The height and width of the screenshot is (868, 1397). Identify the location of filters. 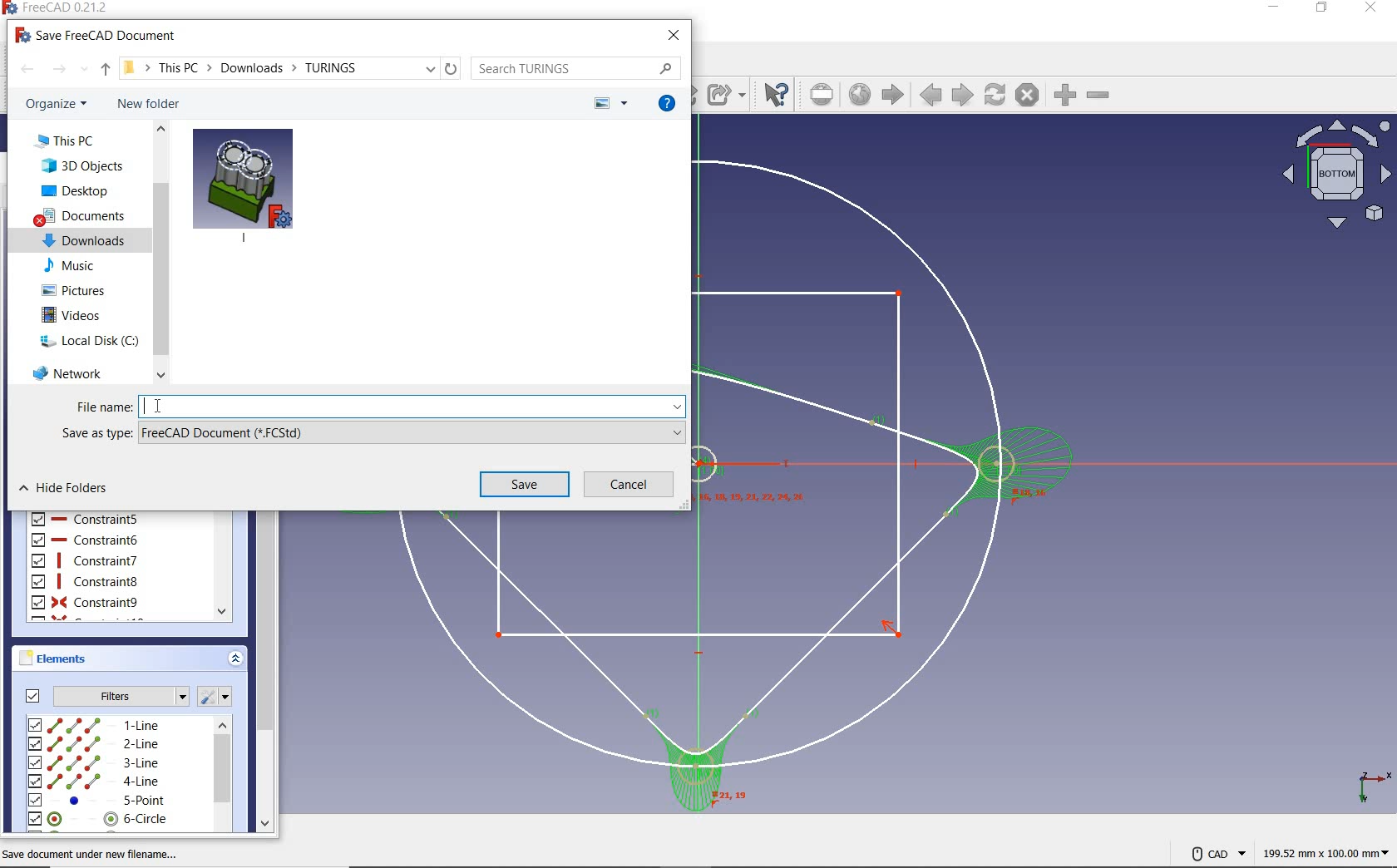
(101, 695).